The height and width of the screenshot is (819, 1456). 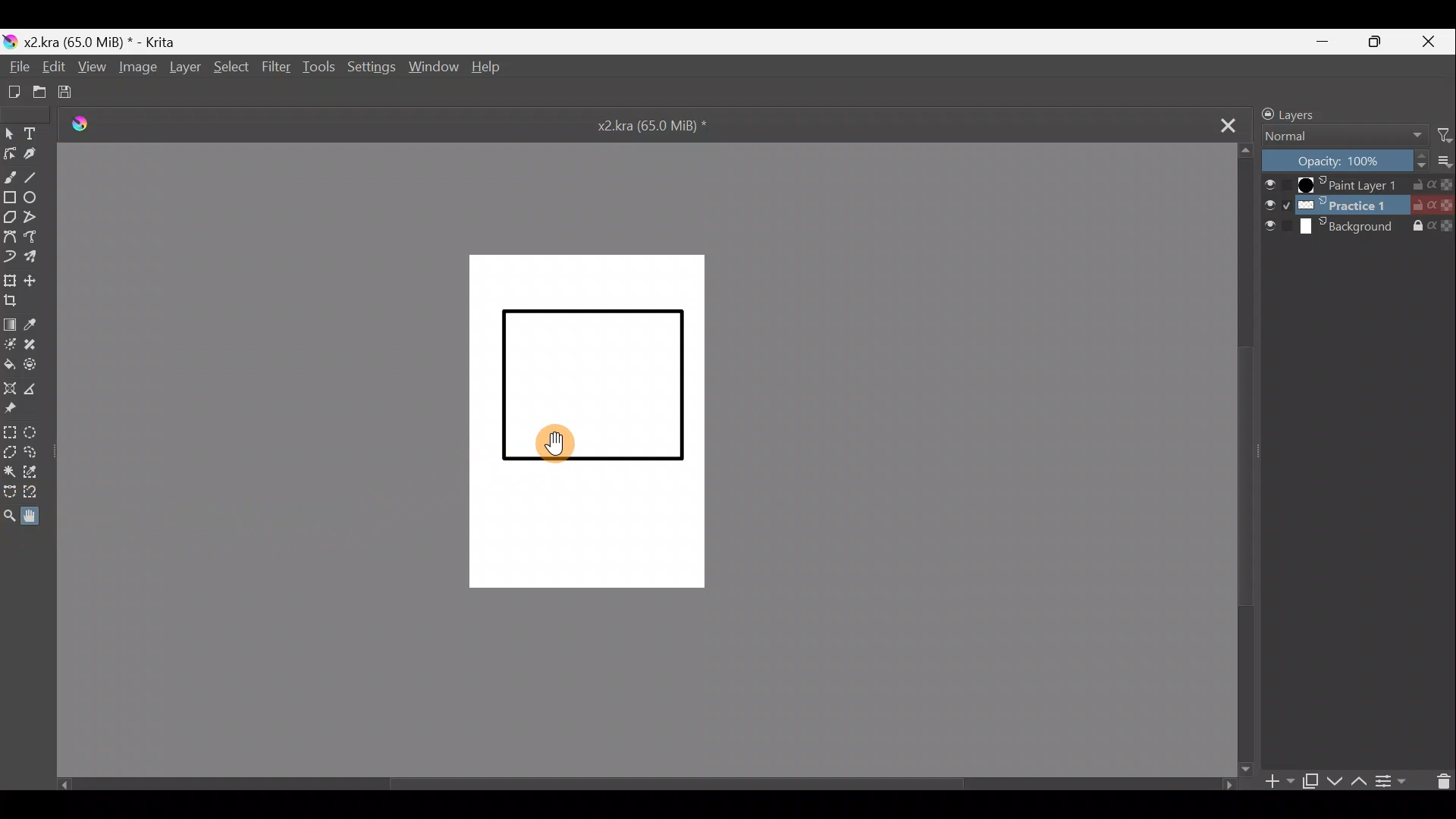 What do you see at coordinates (1273, 781) in the screenshot?
I see `Add layer` at bounding box center [1273, 781].